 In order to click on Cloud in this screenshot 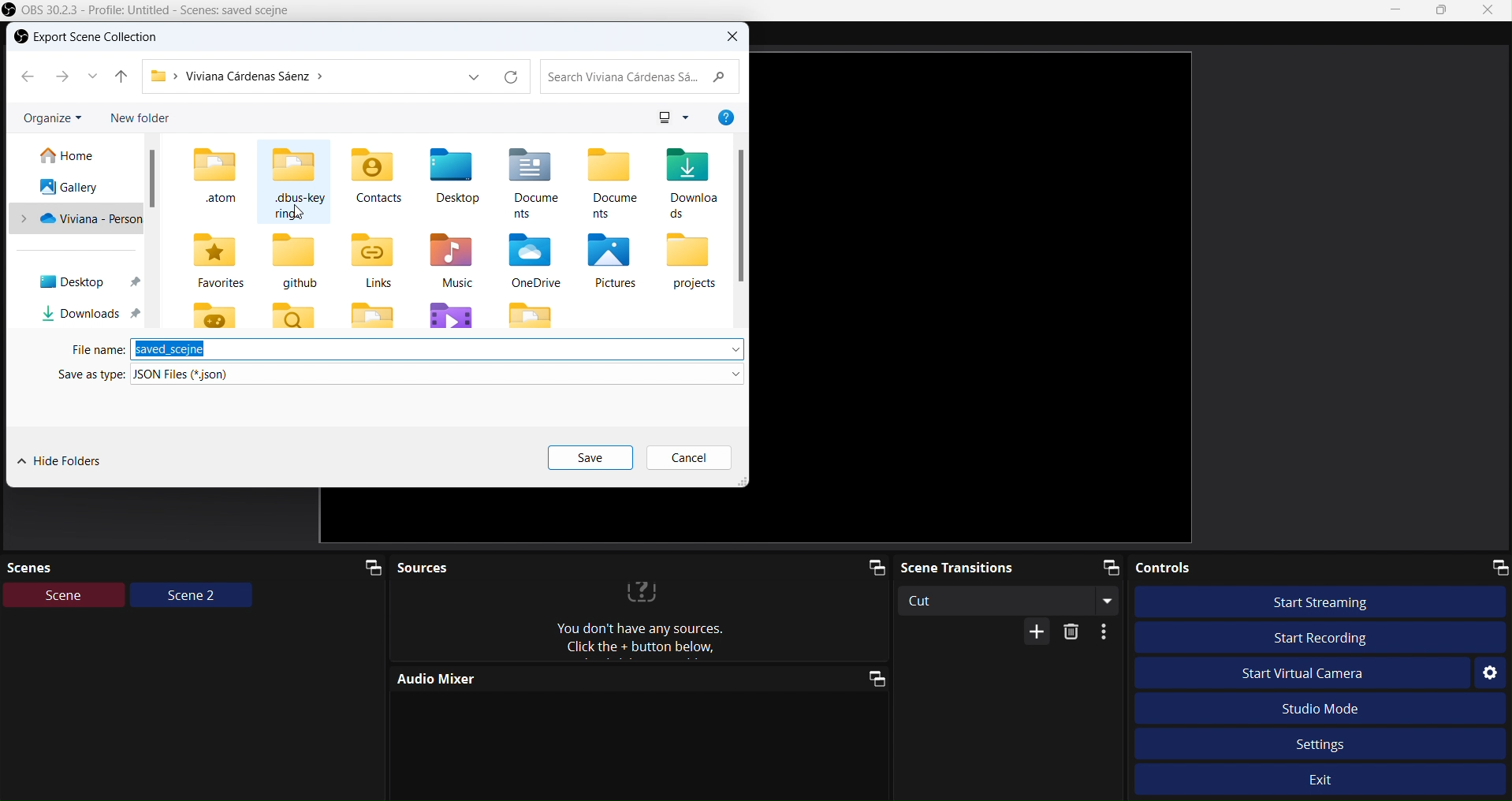, I will do `click(74, 221)`.